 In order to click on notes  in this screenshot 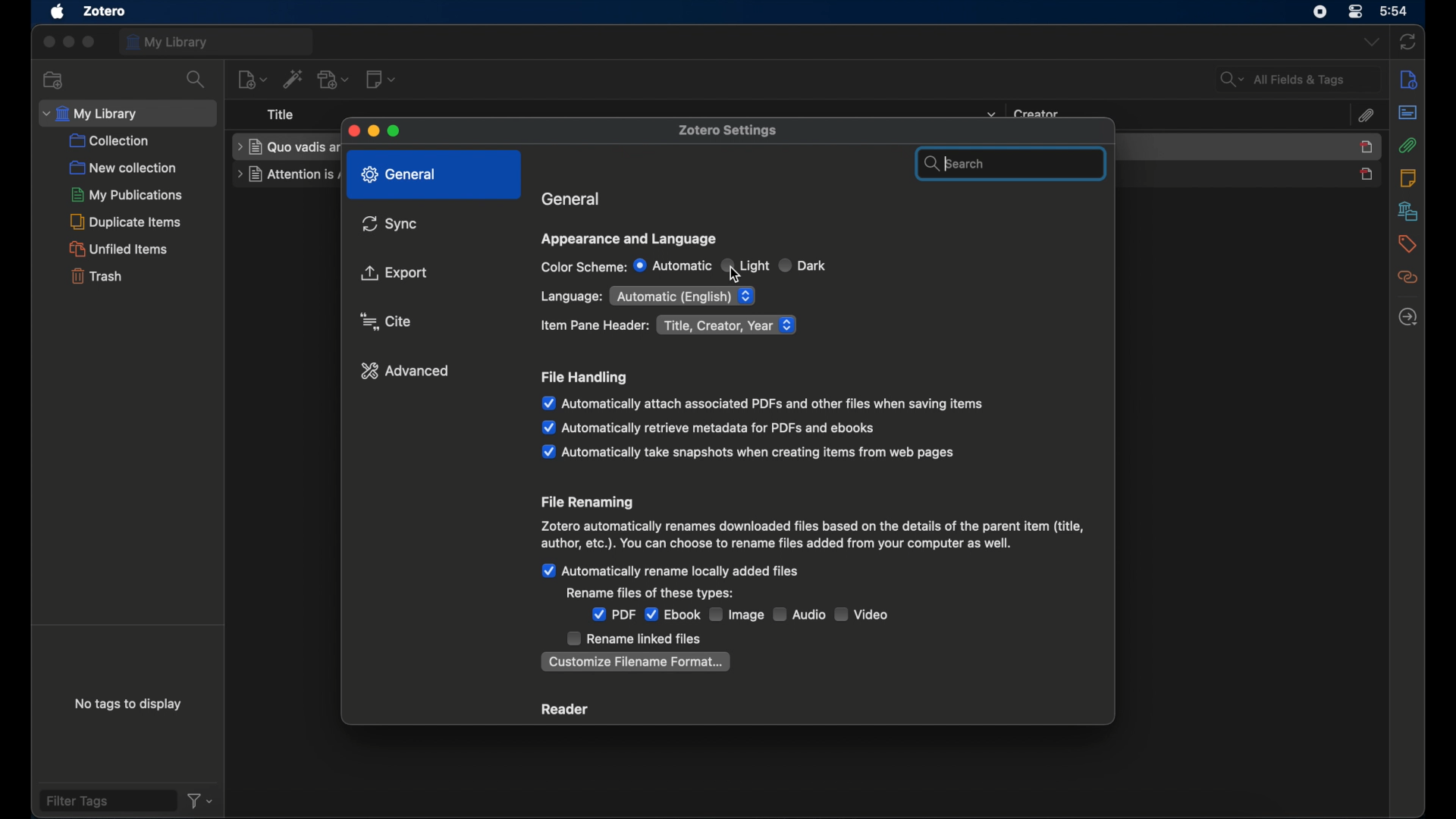, I will do `click(1407, 177)`.